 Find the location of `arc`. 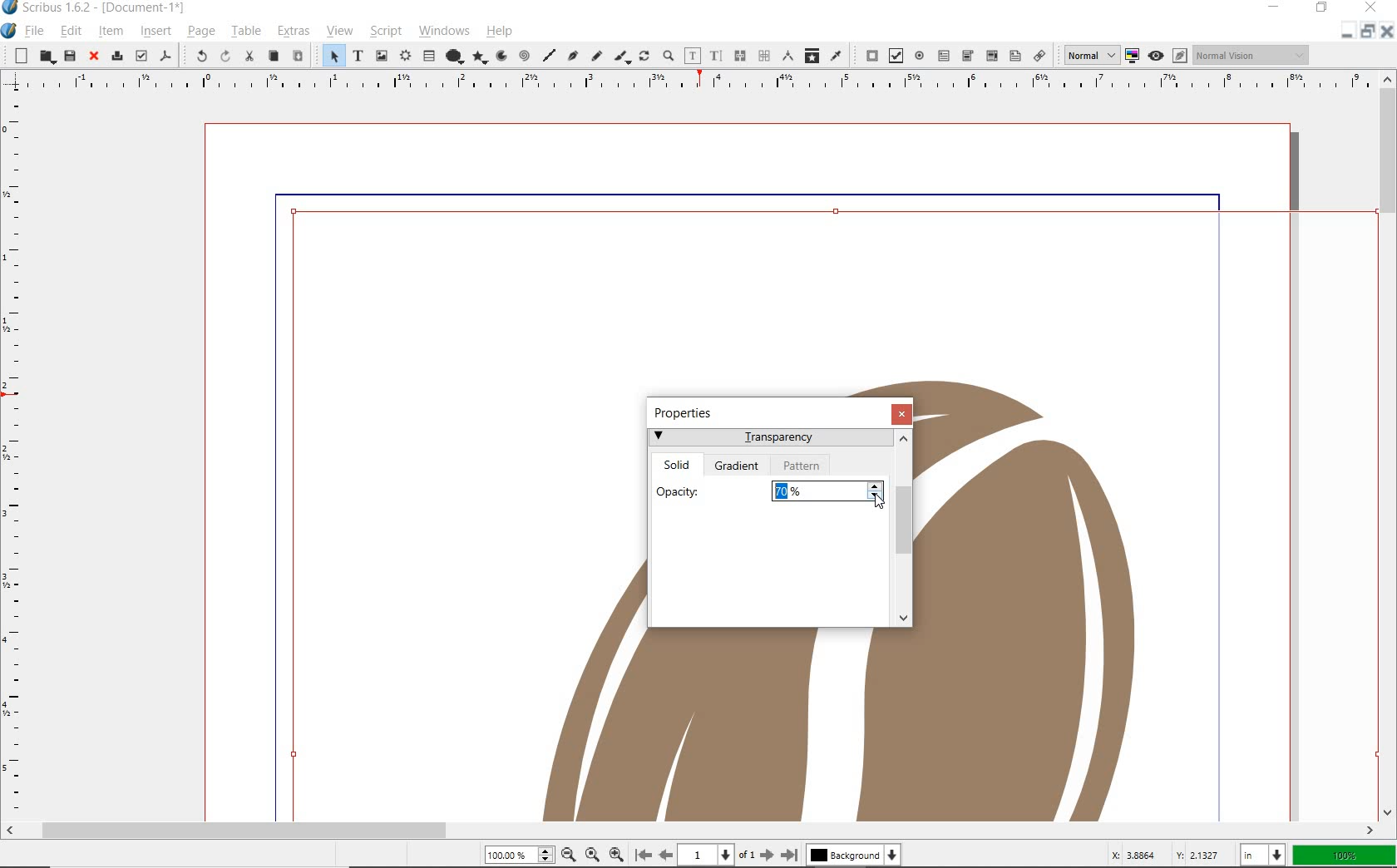

arc is located at coordinates (505, 55).